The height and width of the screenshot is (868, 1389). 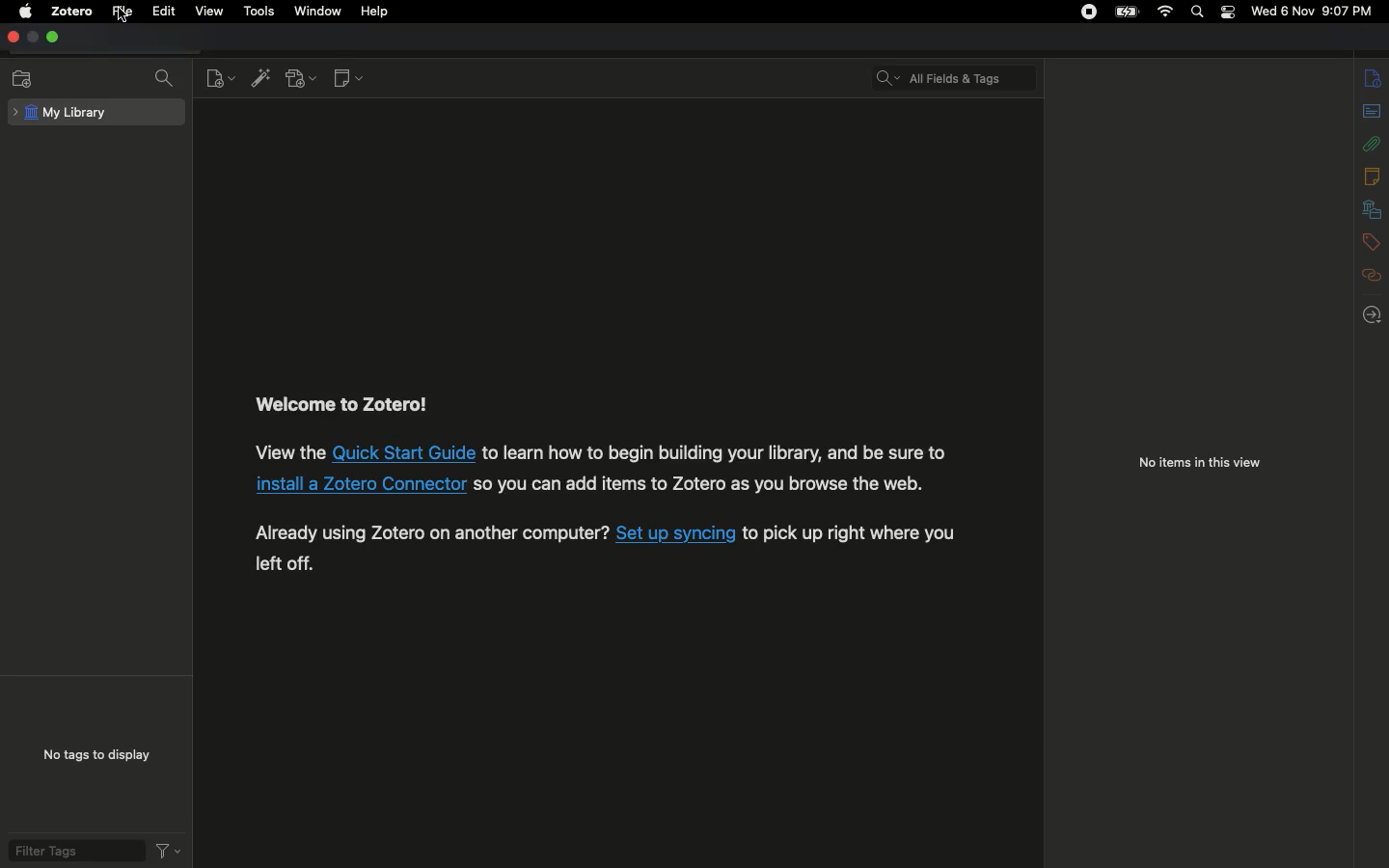 What do you see at coordinates (1374, 78) in the screenshot?
I see `Info` at bounding box center [1374, 78].